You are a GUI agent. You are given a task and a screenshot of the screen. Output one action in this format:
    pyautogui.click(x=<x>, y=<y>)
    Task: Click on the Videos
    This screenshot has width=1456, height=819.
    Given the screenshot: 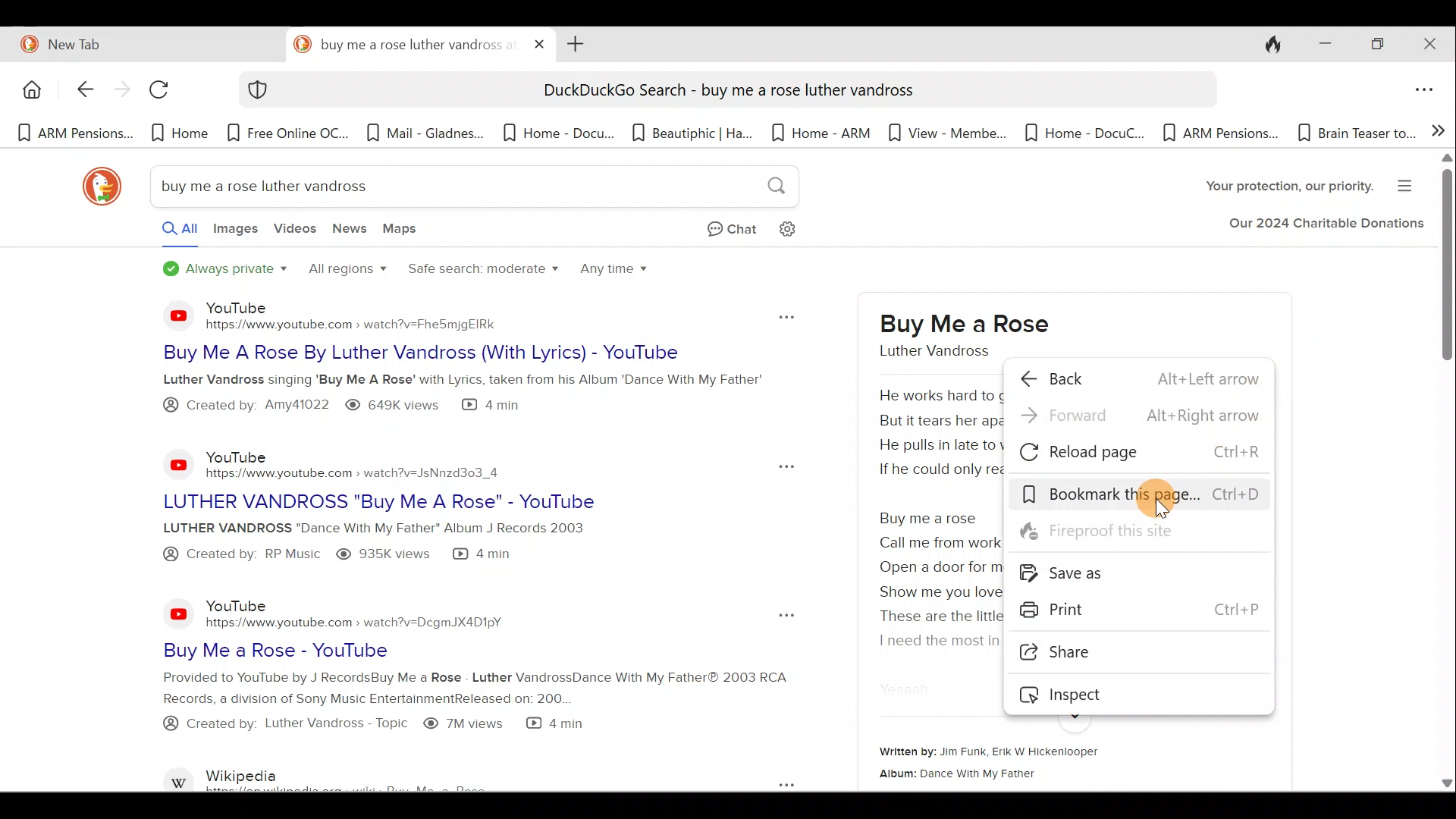 What is the action you would take?
    pyautogui.click(x=295, y=234)
    